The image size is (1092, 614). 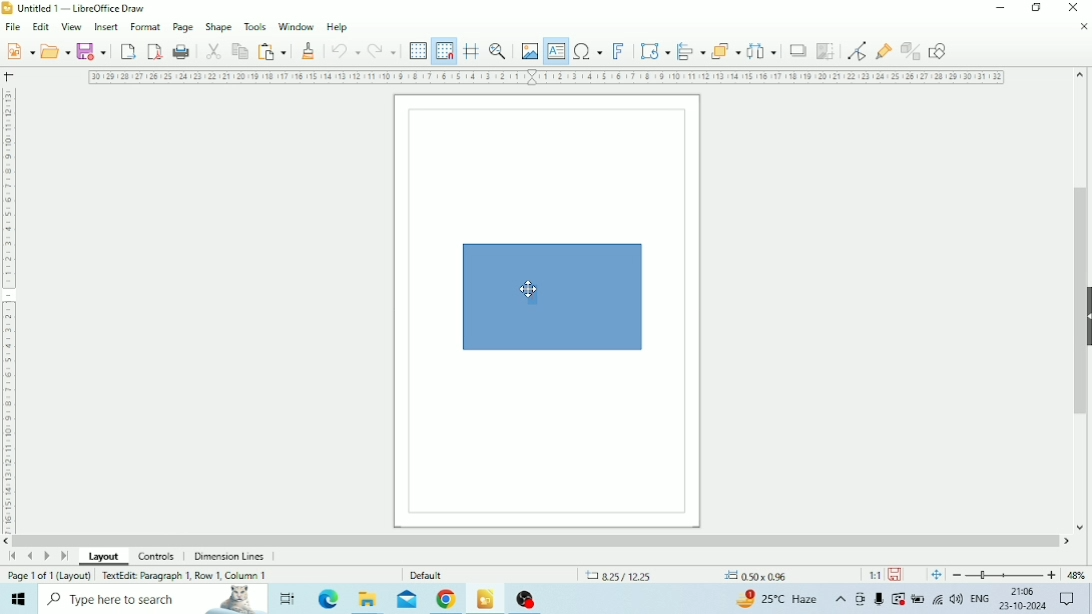 I want to click on Transformations, so click(x=655, y=51).